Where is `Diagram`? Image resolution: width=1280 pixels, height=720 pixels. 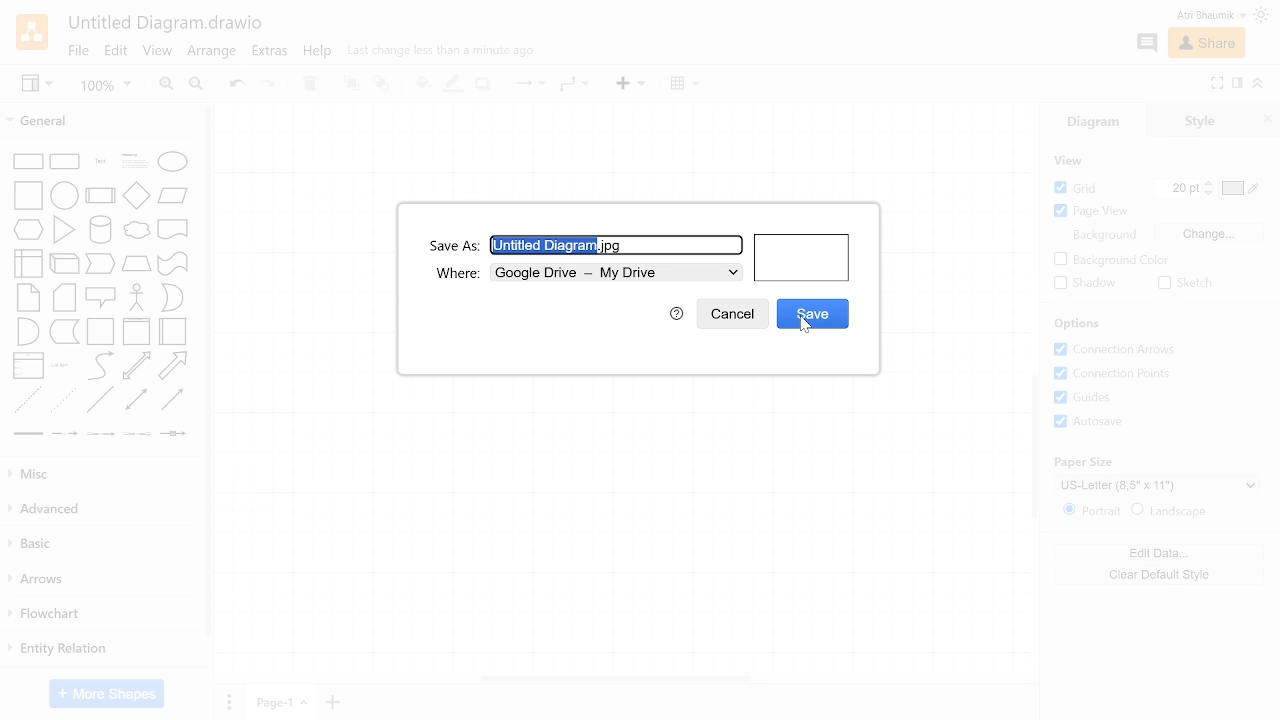
Diagram is located at coordinates (803, 258).